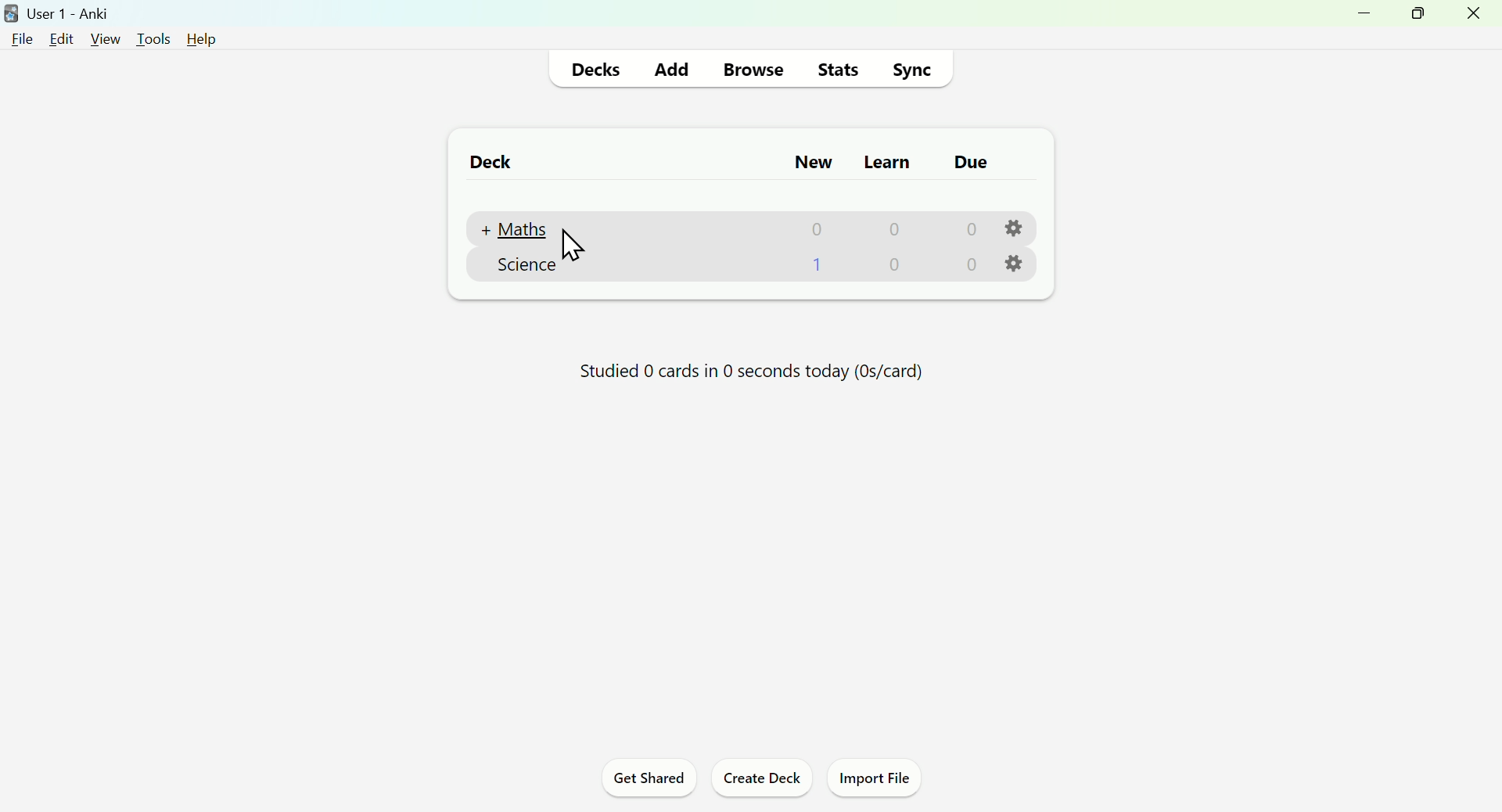  What do you see at coordinates (835, 68) in the screenshot?
I see `Stats` at bounding box center [835, 68].